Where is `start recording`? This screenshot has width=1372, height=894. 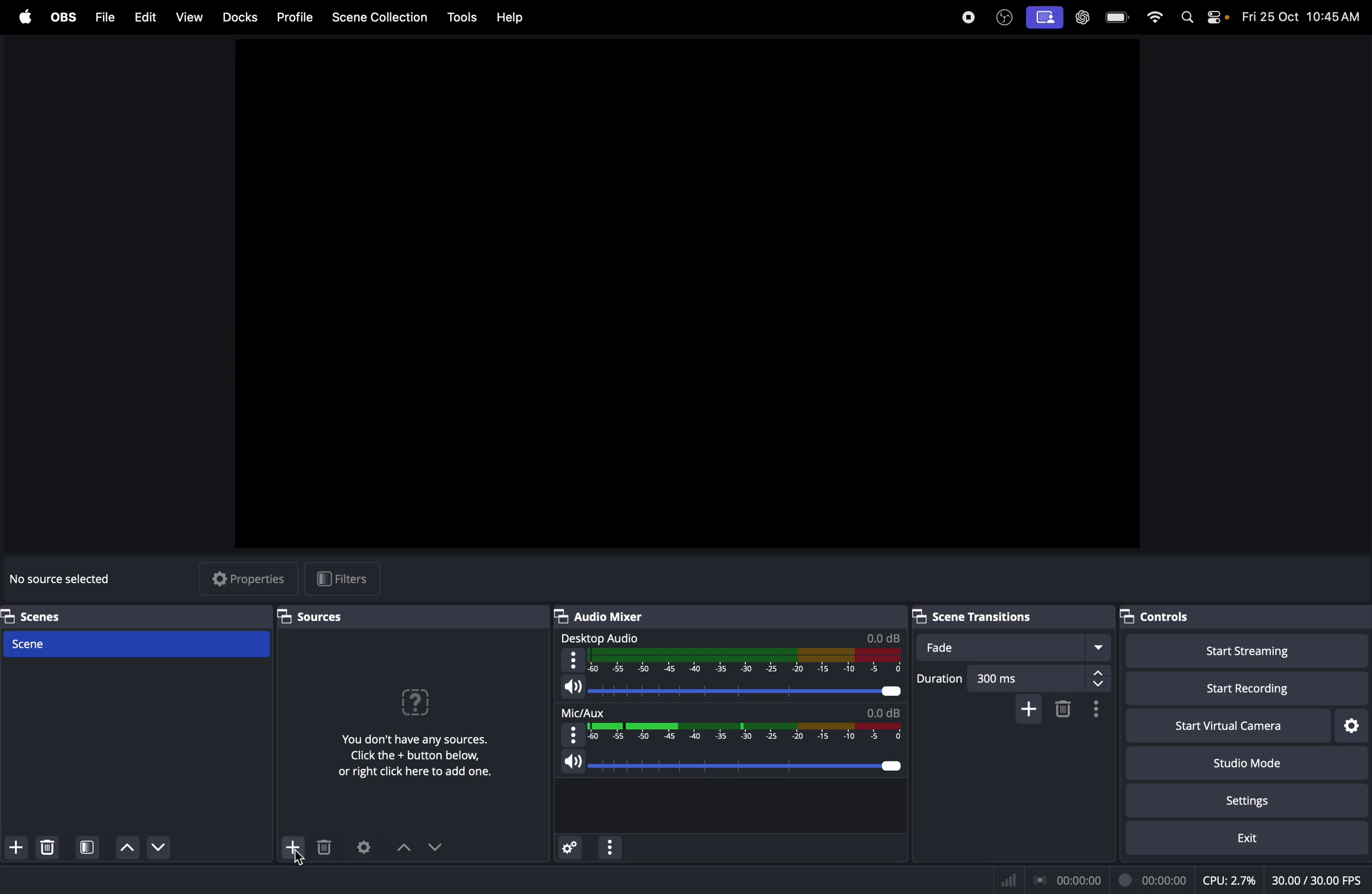 start recording is located at coordinates (1234, 686).